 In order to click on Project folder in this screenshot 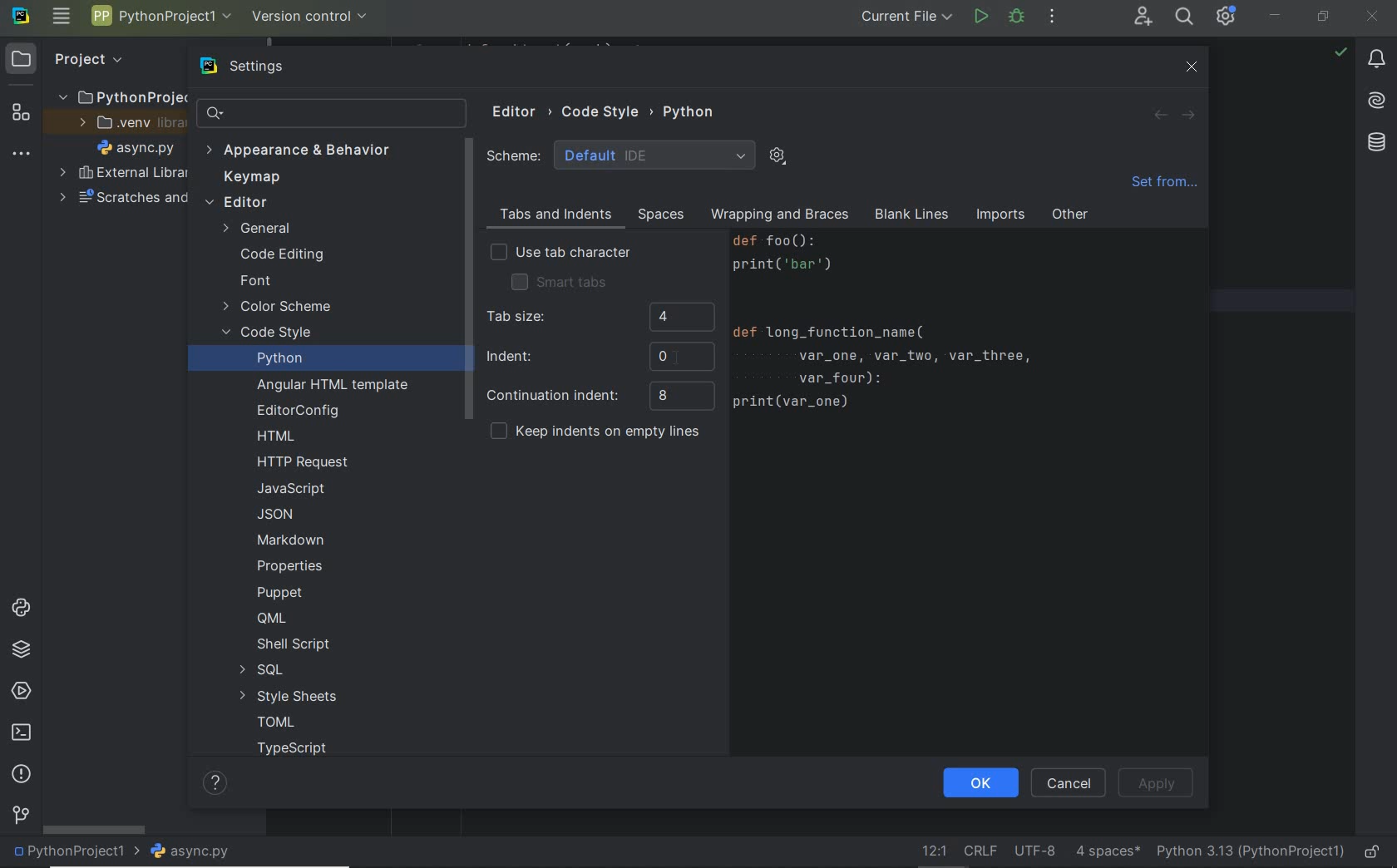, I will do `click(117, 96)`.